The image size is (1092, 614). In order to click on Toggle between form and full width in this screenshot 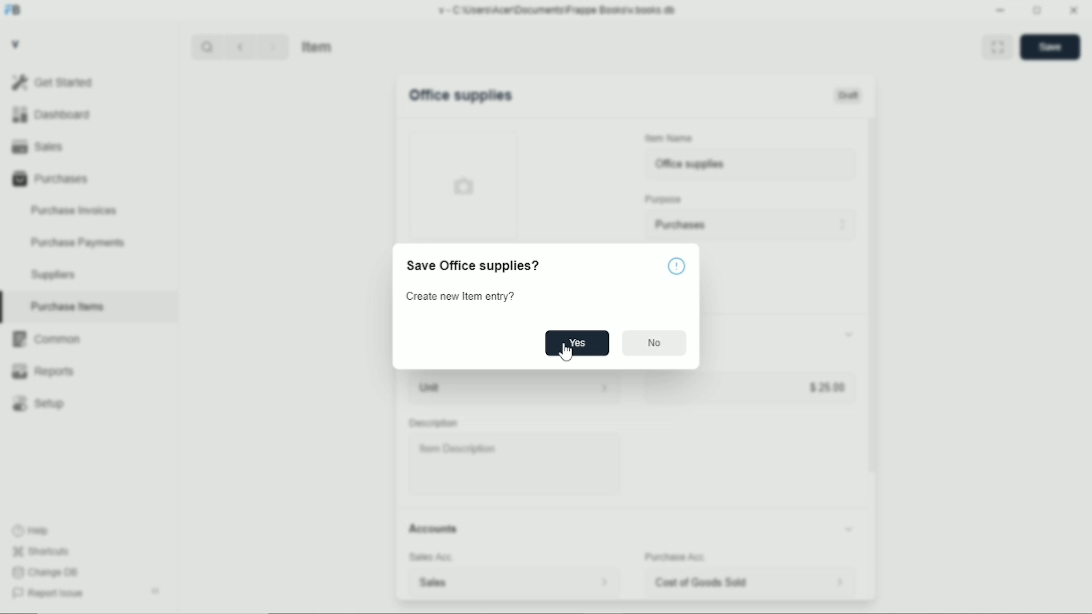, I will do `click(1038, 11)`.